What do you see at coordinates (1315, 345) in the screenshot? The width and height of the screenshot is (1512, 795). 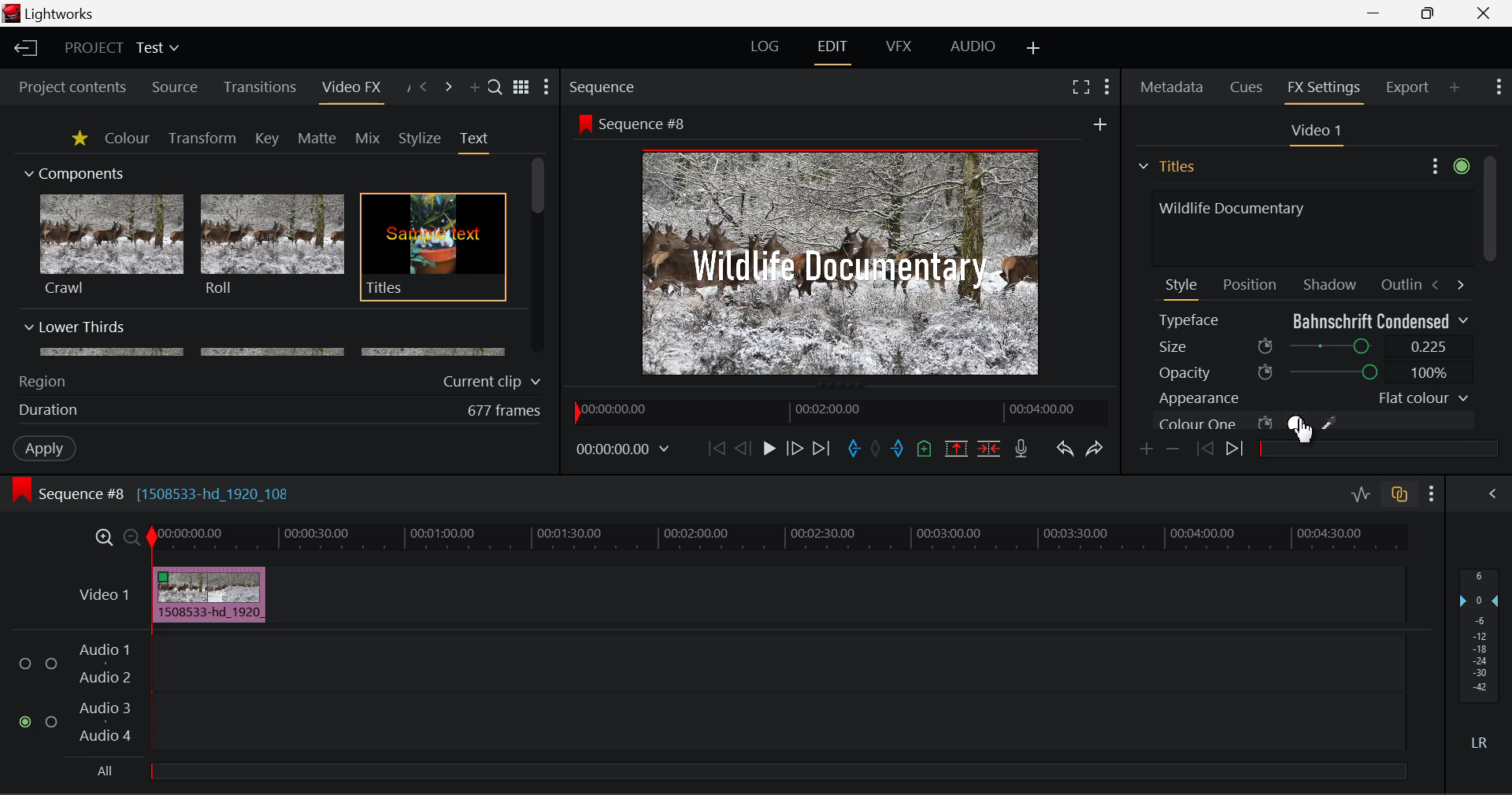 I see `Size` at bounding box center [1315, 345].